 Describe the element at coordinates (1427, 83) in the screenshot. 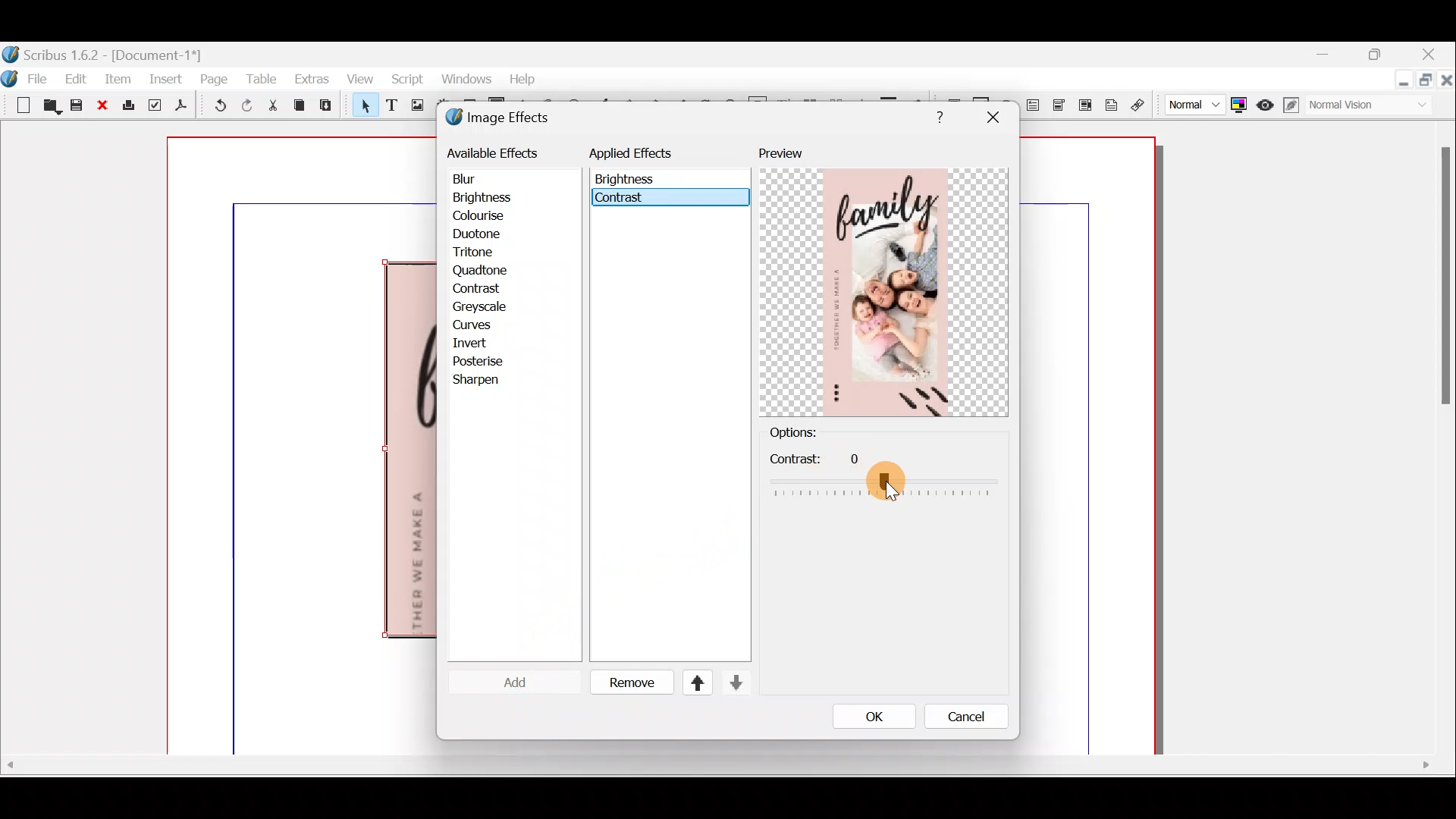

I see `Maximise` at that location.